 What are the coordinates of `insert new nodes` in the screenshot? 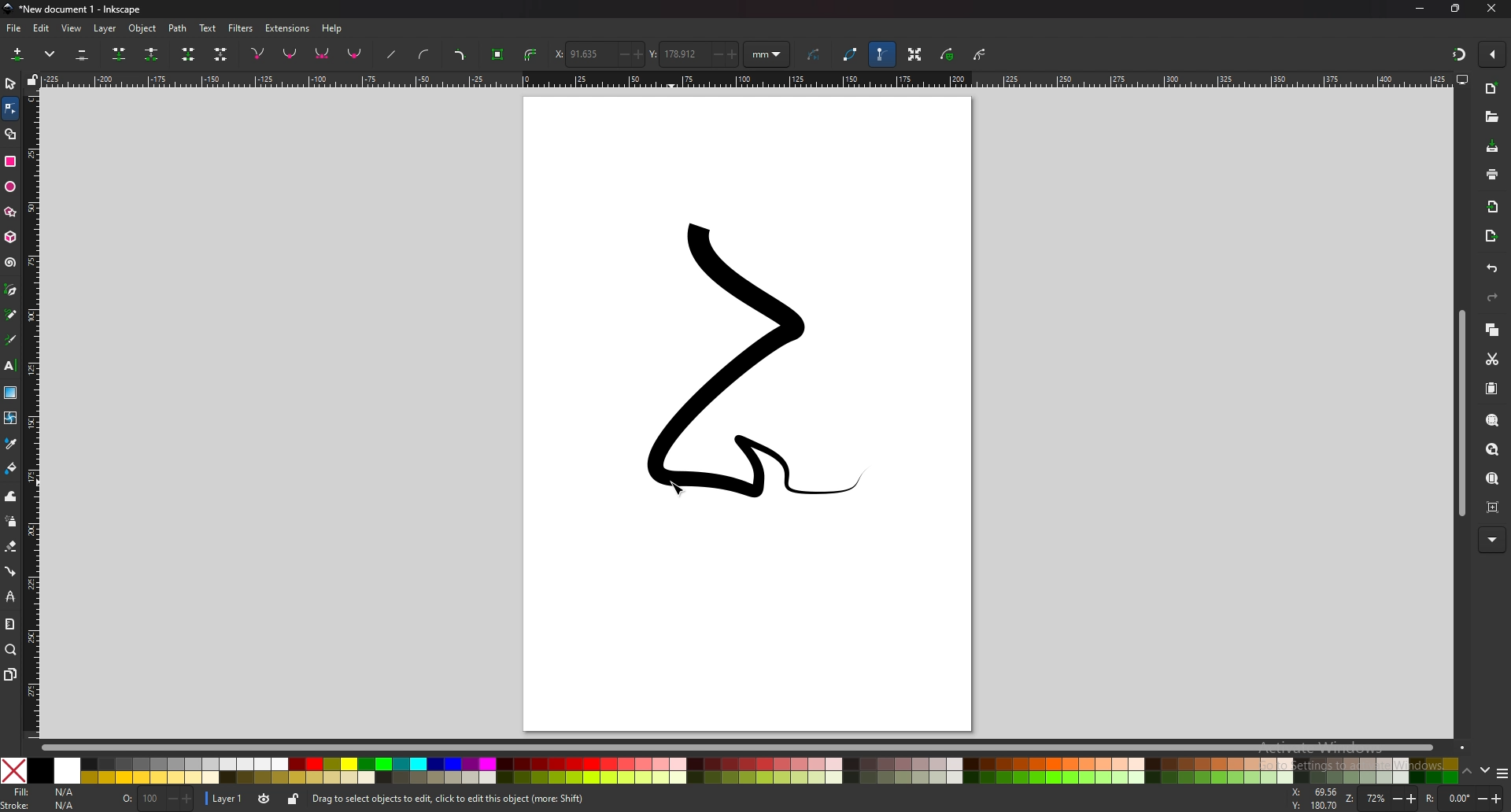 It's located at (18, 55).